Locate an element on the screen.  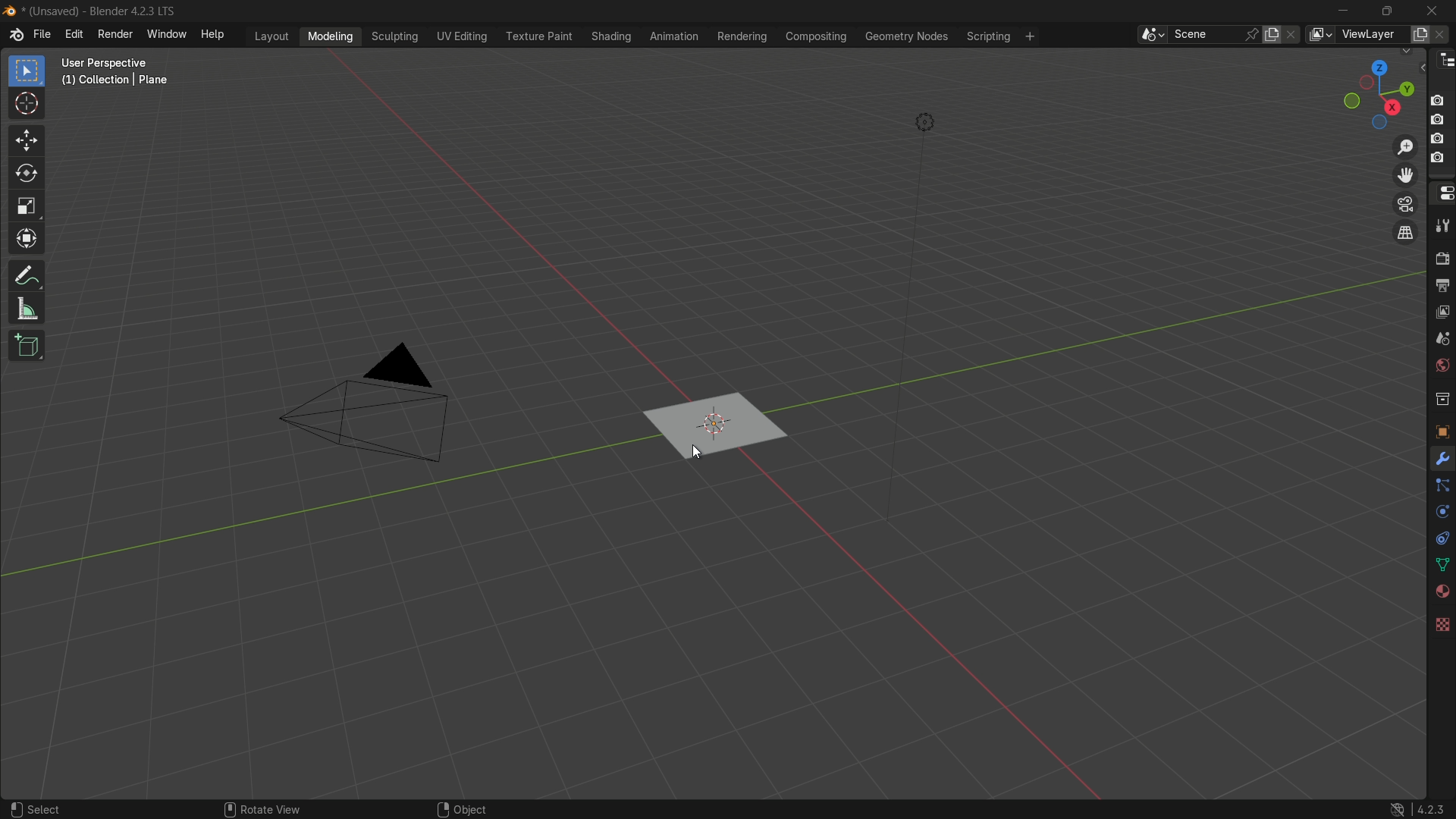
scene name is located at coordinates (1200, 33).